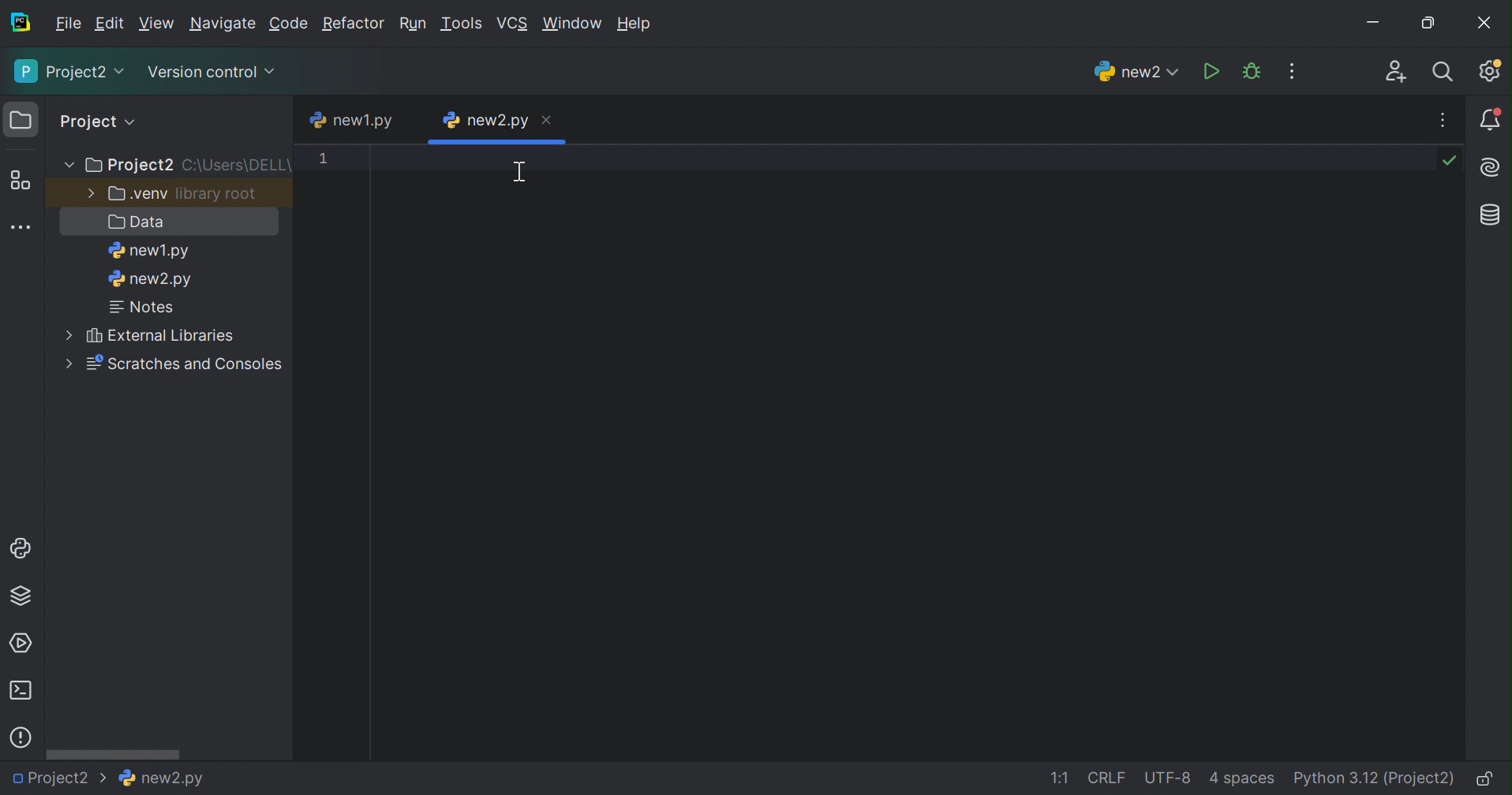 Image resolution: width=1512 pixels, height=795 pixels. What do you see at coordinates (545, 121) in the screenshot?
I see `Close` at bounding box center [545, 121].